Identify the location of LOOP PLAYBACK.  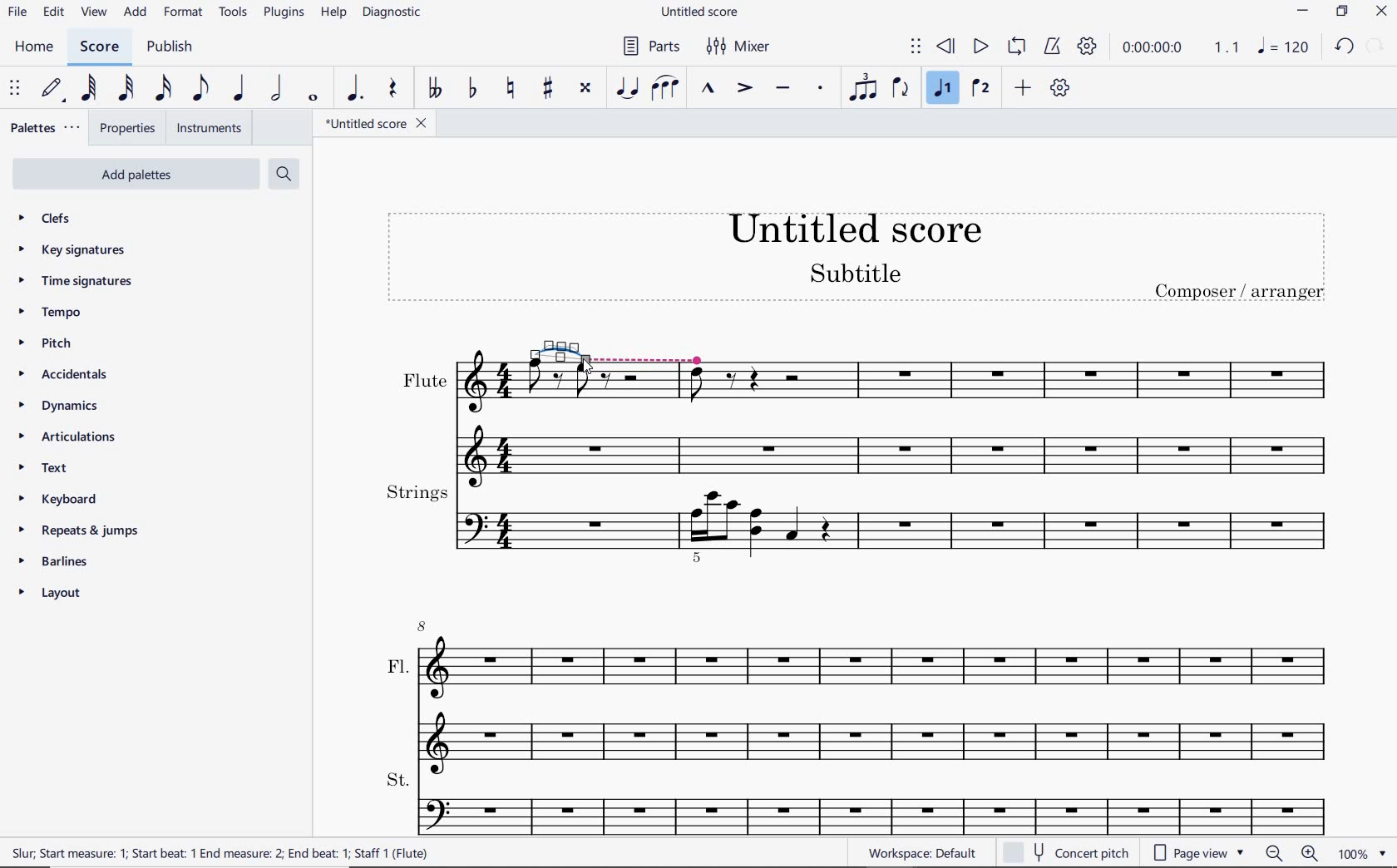
(1017, 47).